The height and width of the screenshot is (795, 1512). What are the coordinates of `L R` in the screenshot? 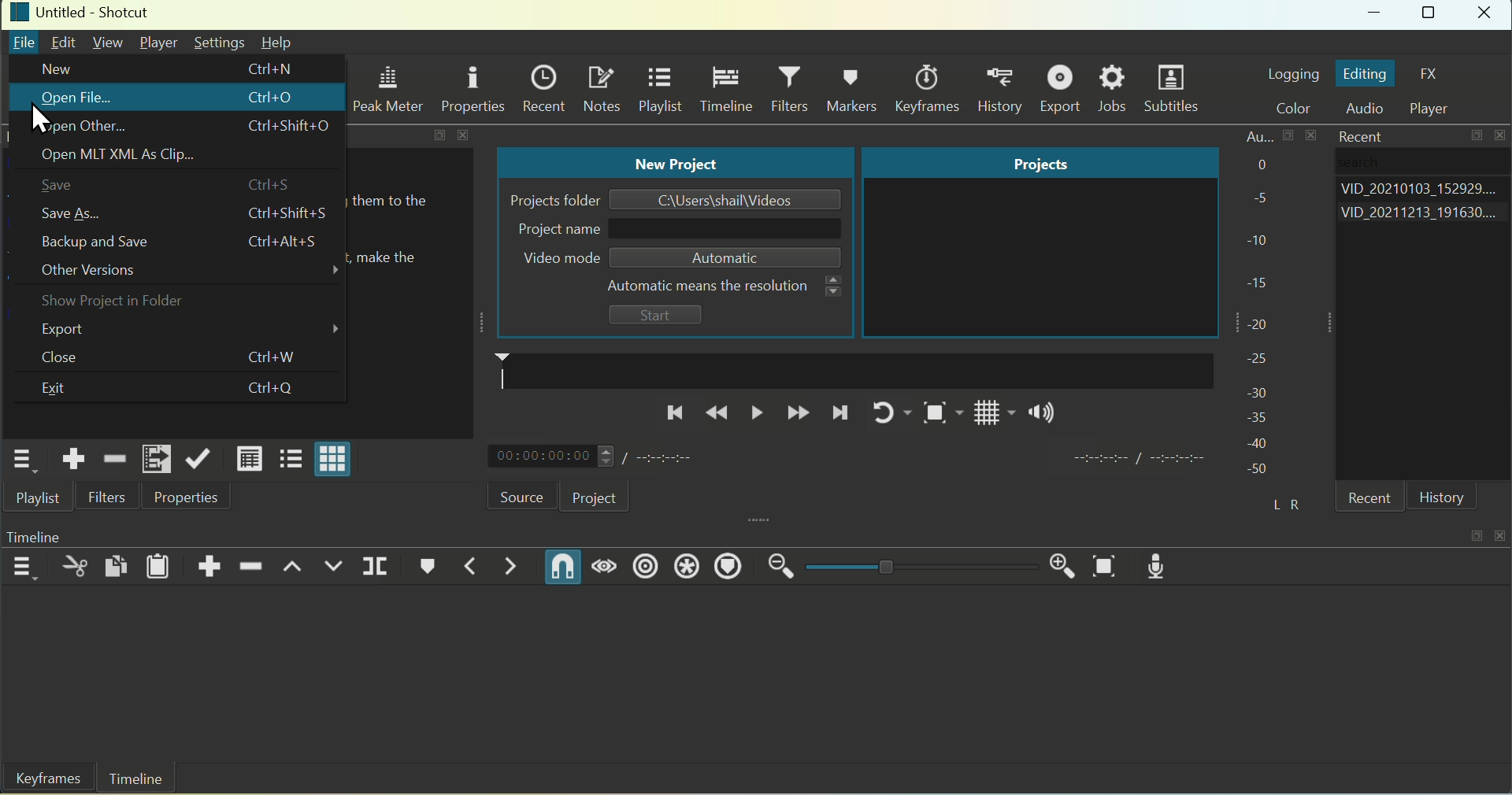 It's located at (1283, 501).